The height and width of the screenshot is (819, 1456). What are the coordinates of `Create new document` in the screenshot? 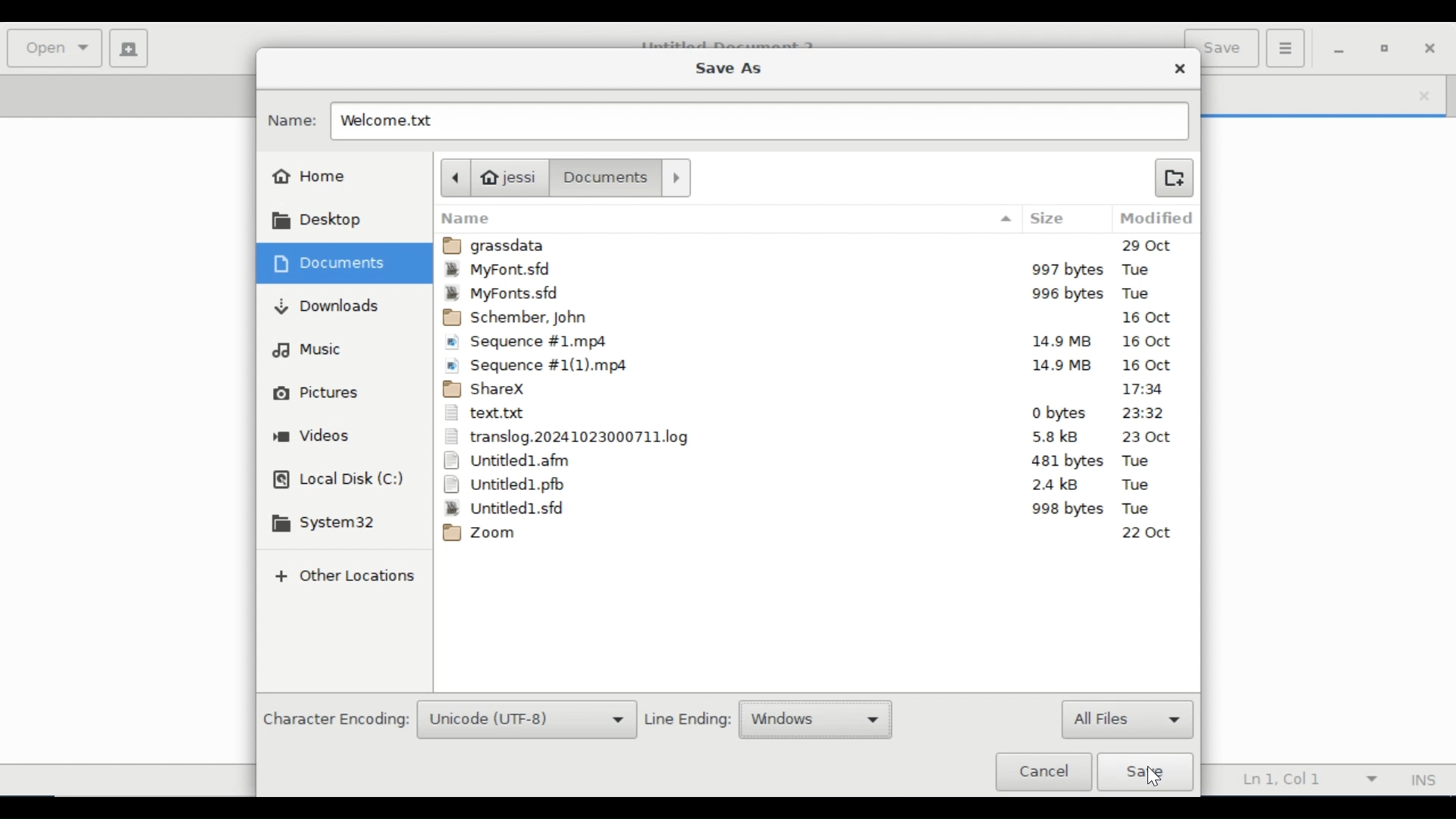 It's located at (128, 47).